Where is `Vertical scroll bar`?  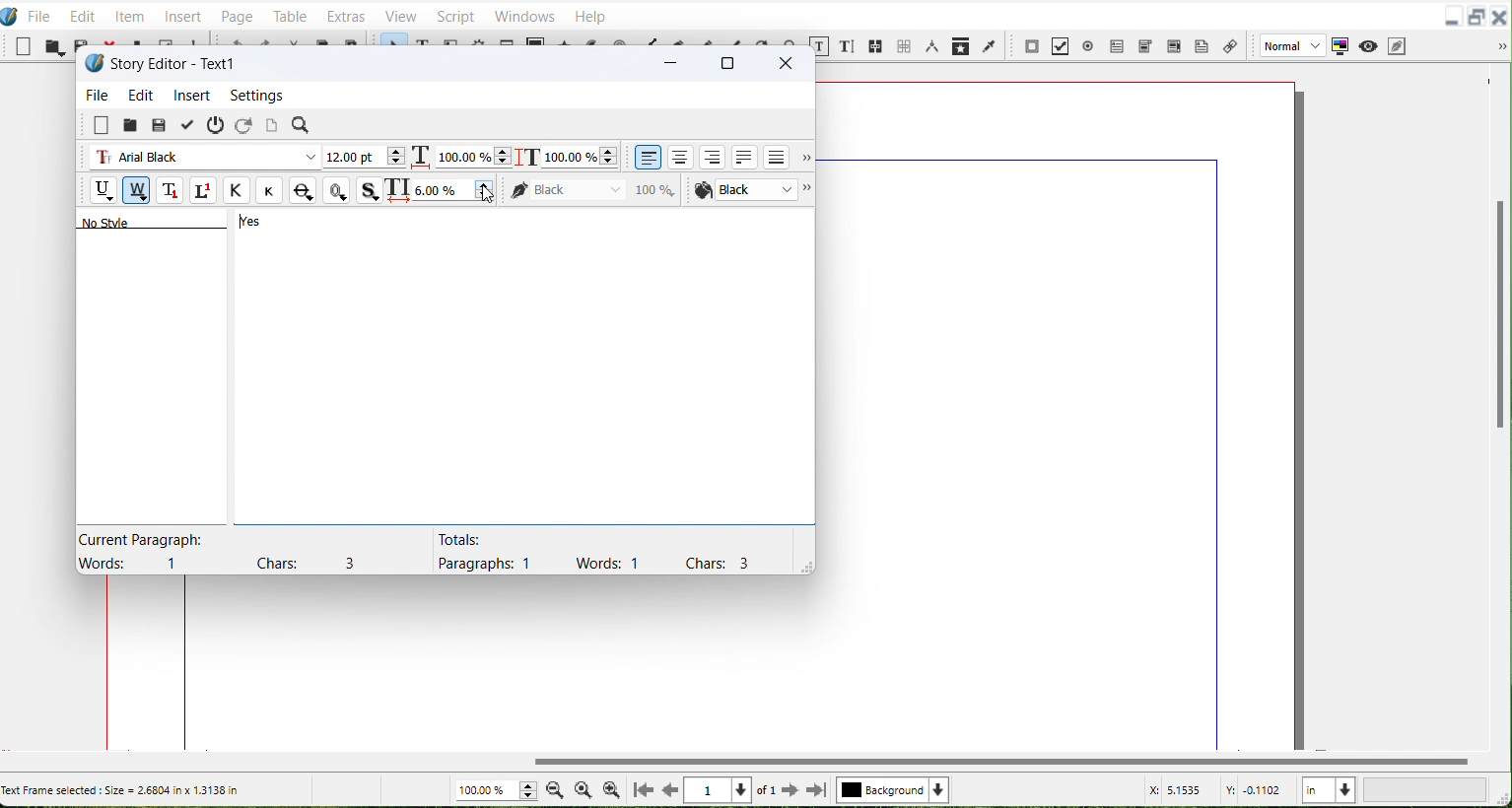
Vertical scroll bar is located at coordinates (740, 761).